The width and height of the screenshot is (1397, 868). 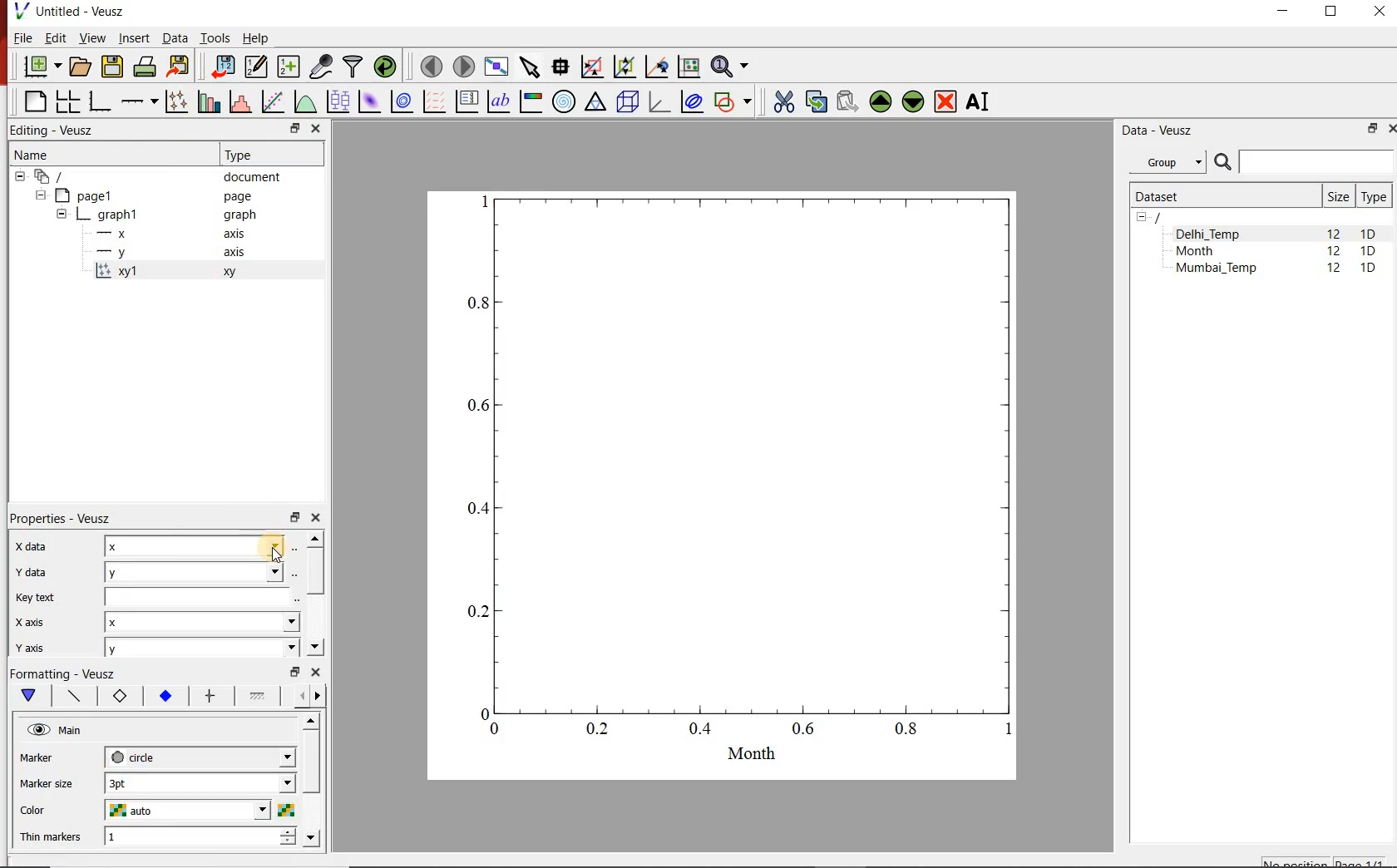 What do you see at coordinates (592, 67) in the screenshot?
I see `click or draw a rectangle to zoom graph indexes` at bounding box center [592, 67].